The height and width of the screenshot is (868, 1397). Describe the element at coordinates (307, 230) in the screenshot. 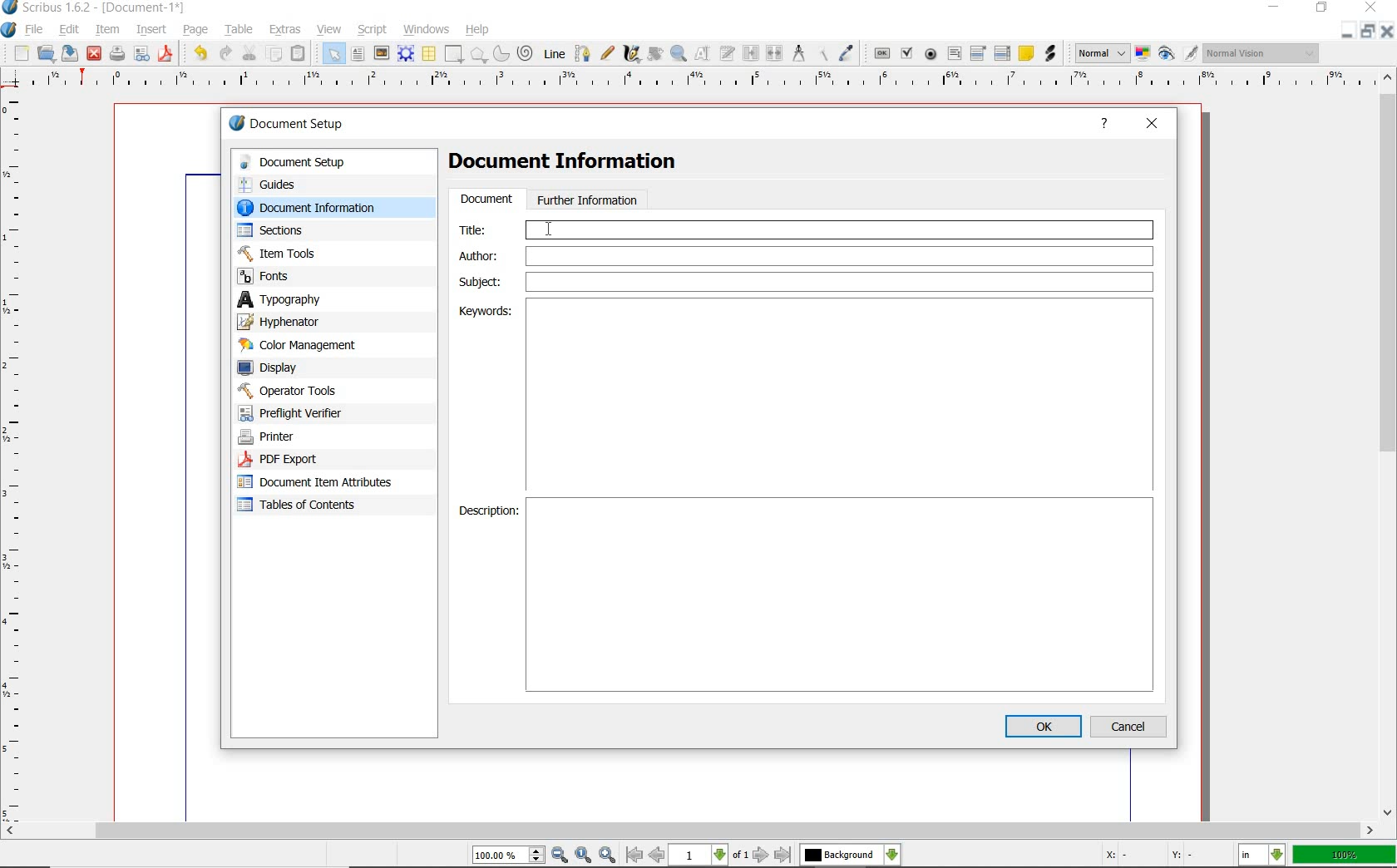

I see `sections` at that location.